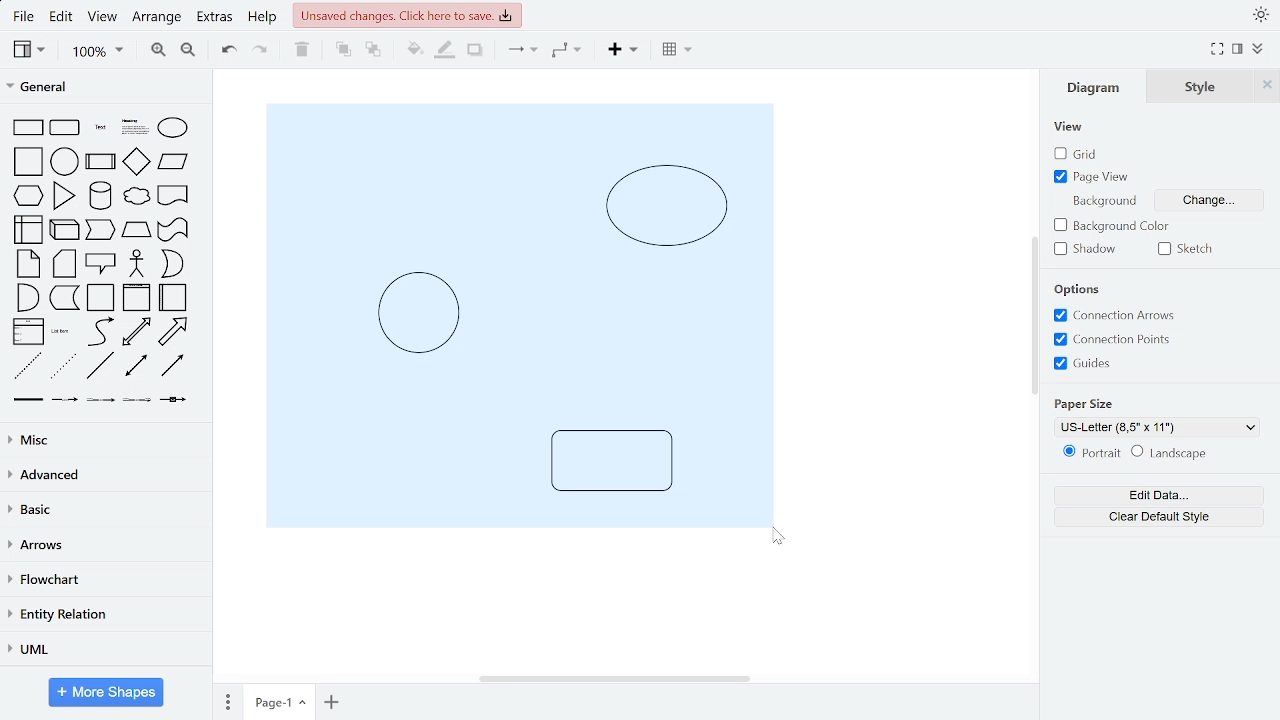  What do you see at coordinates (1216, 50) in the screenshot?
I see `full screen` at bounding box center [1216, 50].